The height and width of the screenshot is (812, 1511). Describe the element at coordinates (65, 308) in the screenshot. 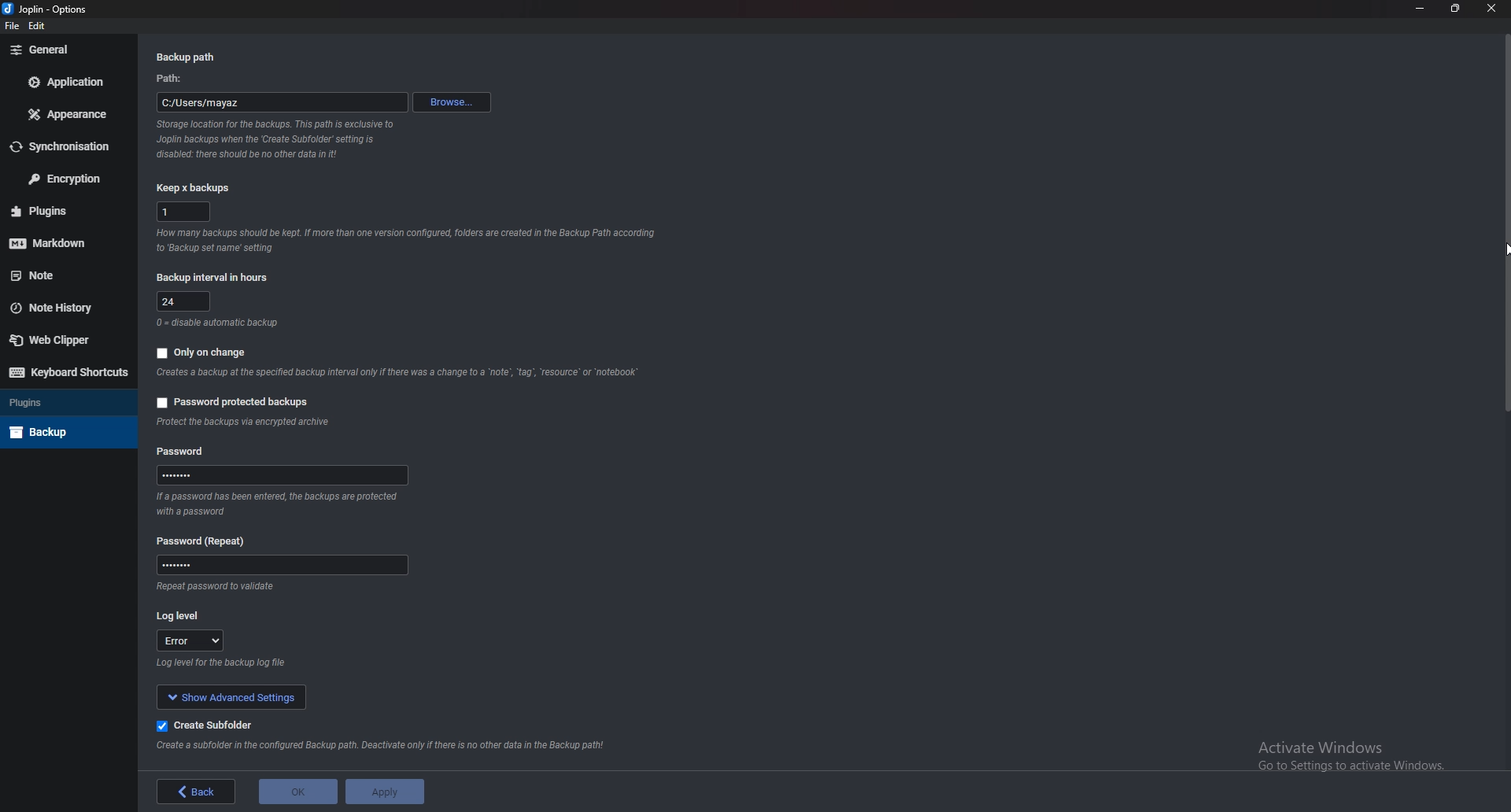

I see `Note history` at that location.